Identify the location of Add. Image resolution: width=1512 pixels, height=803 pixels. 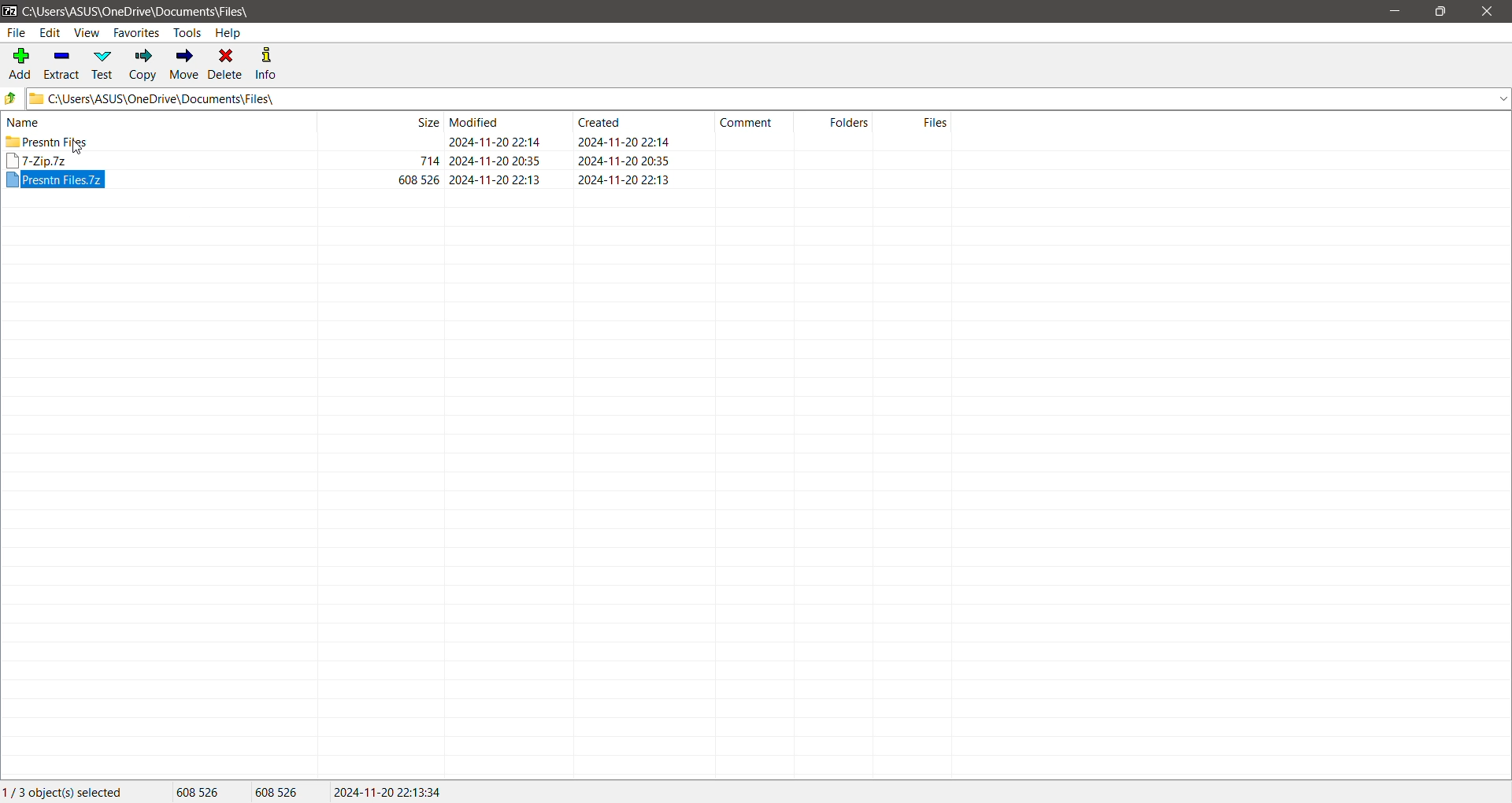
(19, 62).